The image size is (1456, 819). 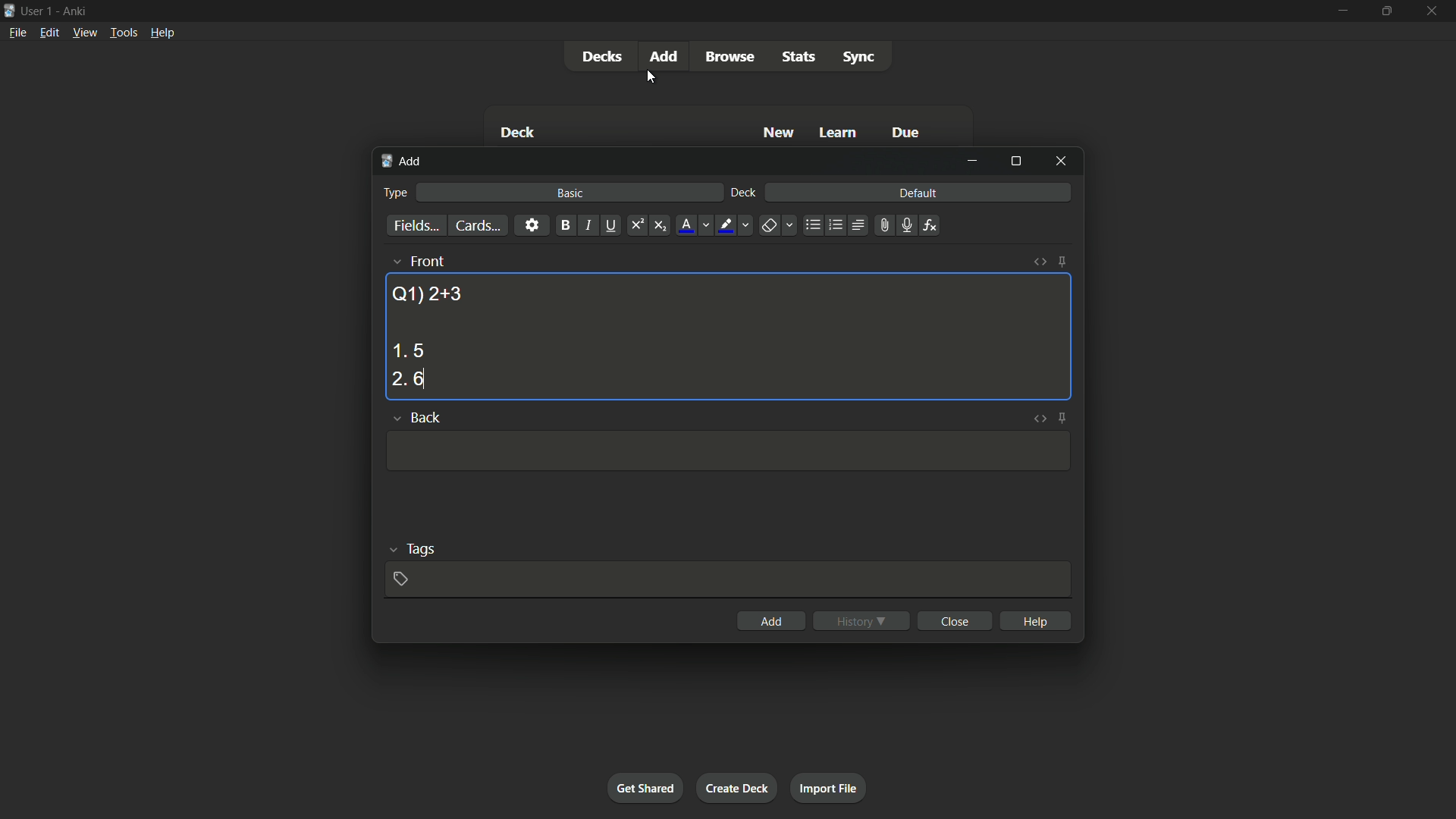 What do you see at coordinates (408, 380) in the screenshot?
I see `option 2` at bounding box center [408, 380].